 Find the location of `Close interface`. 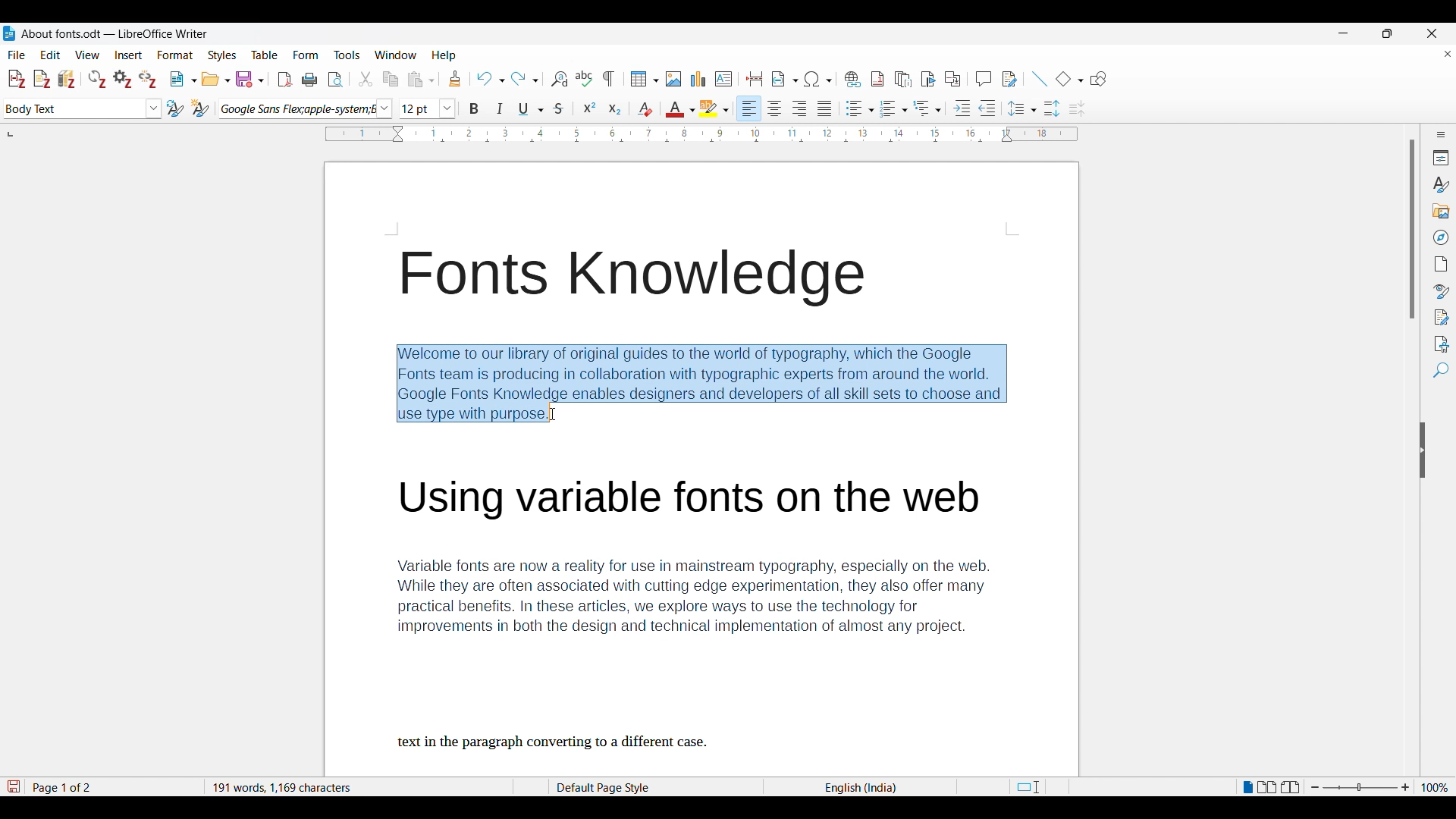

Close interface is located at coordinates (1432, 33).